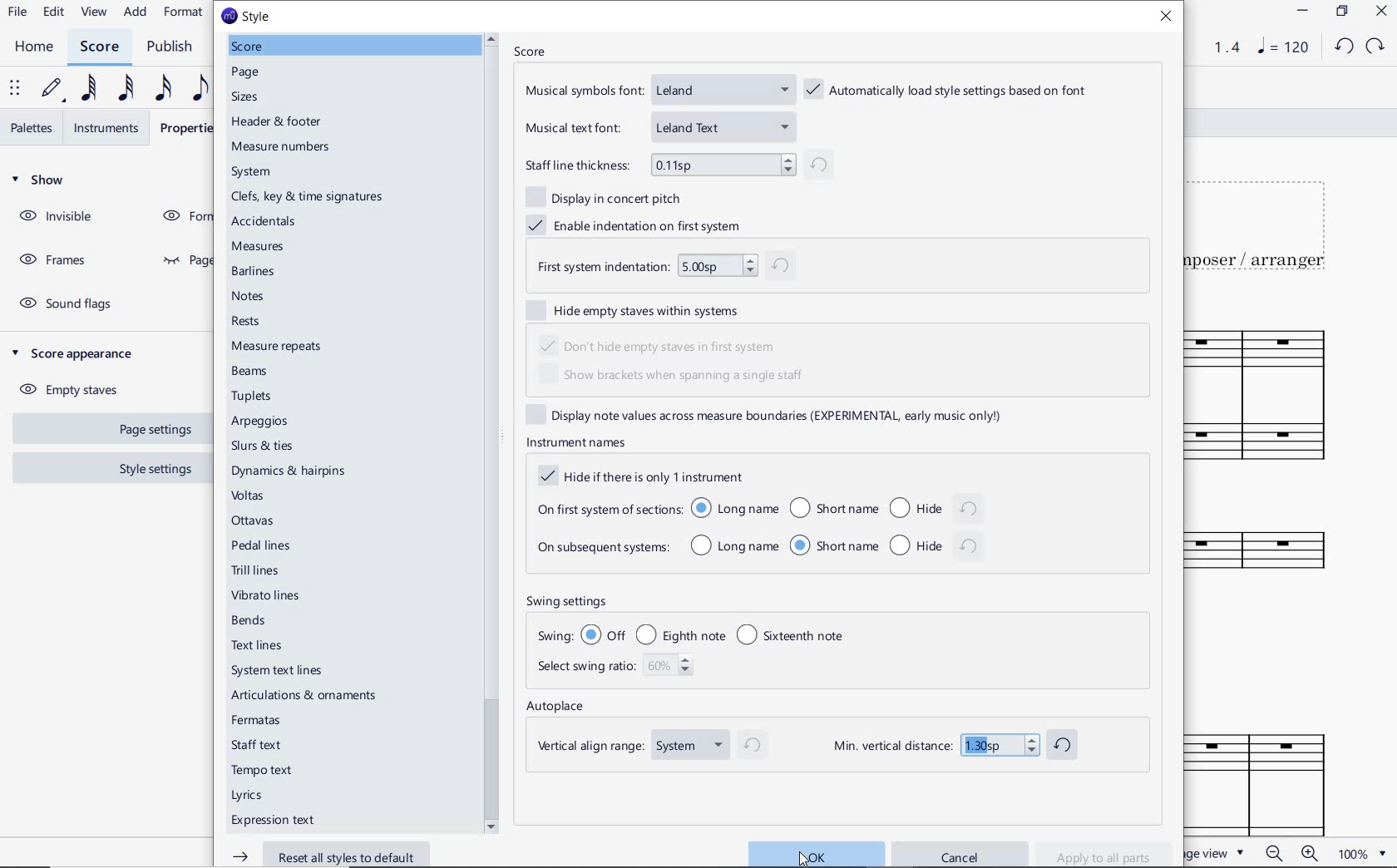 This screenshot has height=868, width=1397. What do you see at coordinates (735, 508) in the screenshot?
I see `long name` at bounding box center [735, 508].